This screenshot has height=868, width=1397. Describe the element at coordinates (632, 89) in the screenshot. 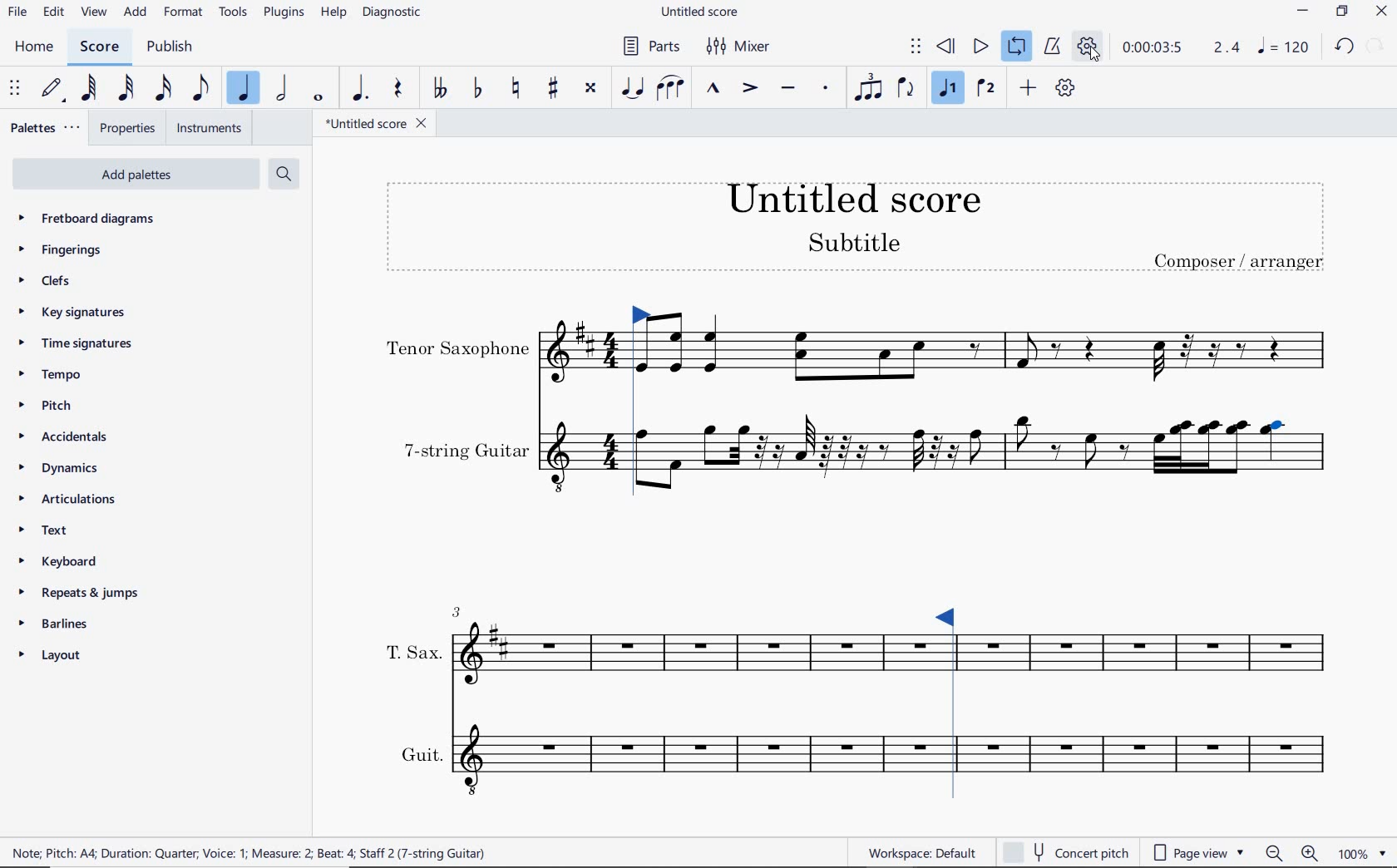

I see `TIE` at that location.